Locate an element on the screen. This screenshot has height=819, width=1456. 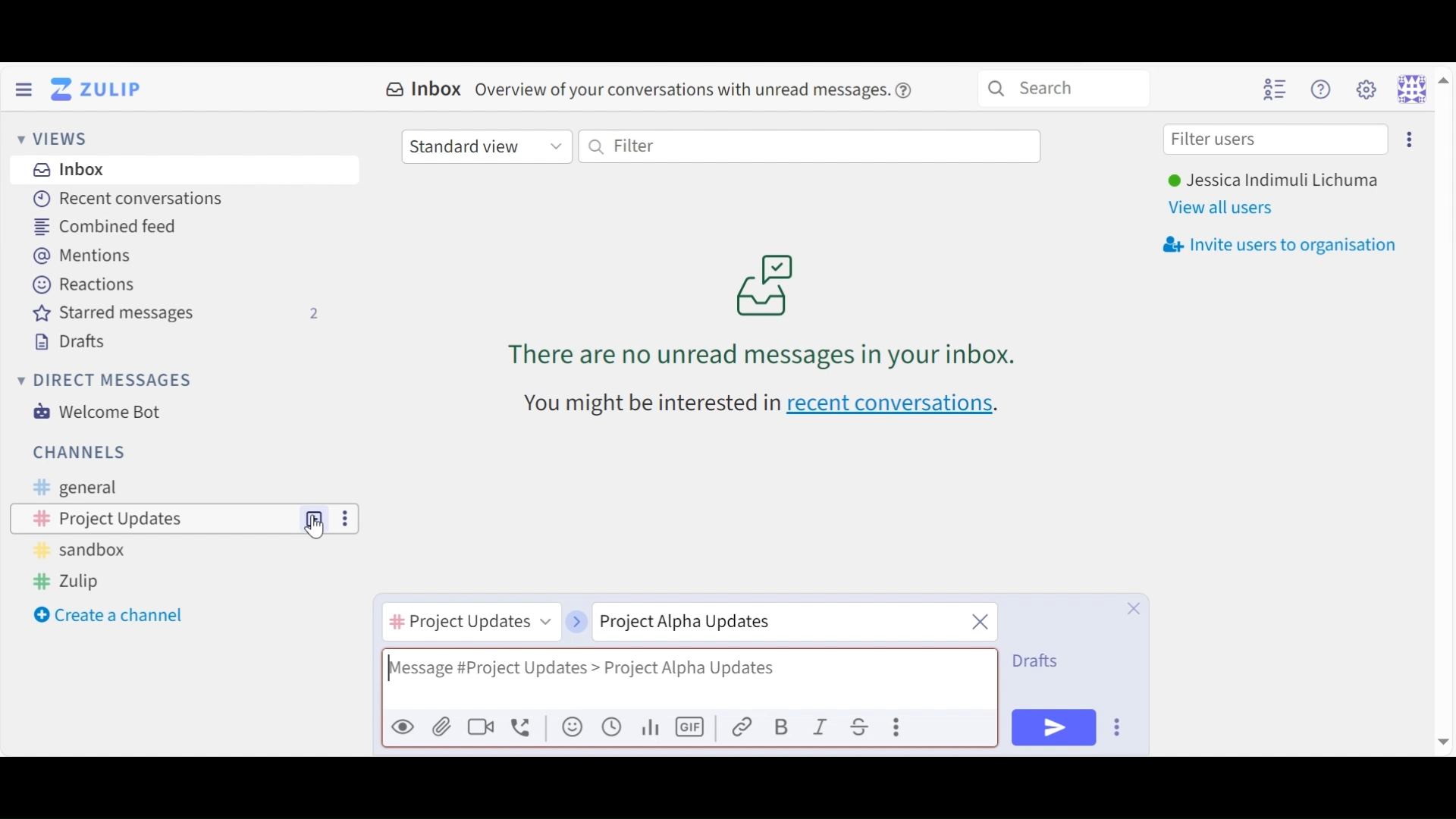
Cursor is located at coordinates (317, 532).